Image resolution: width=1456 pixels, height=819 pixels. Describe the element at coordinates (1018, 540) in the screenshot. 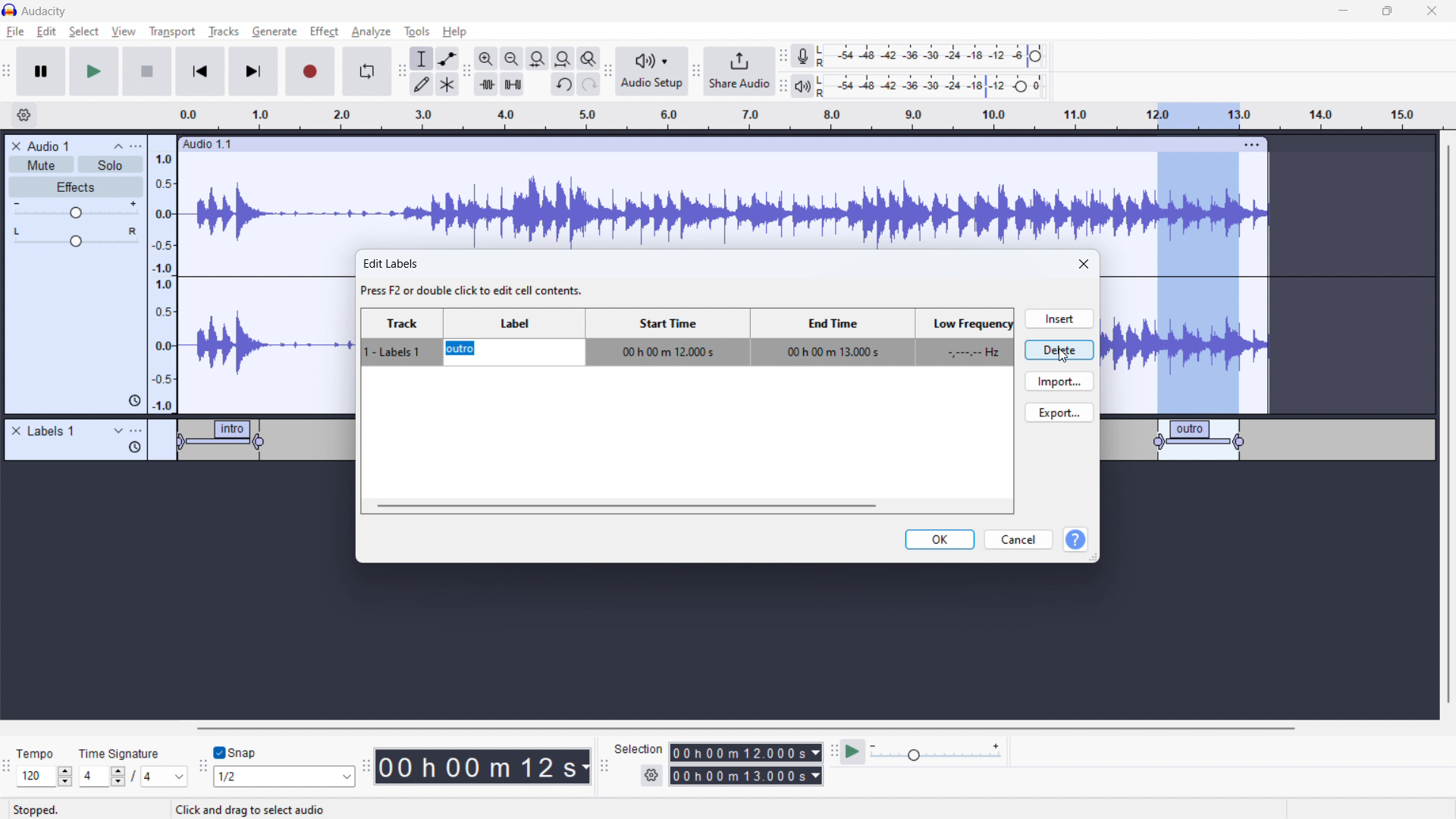

I see `cancel` at that location.